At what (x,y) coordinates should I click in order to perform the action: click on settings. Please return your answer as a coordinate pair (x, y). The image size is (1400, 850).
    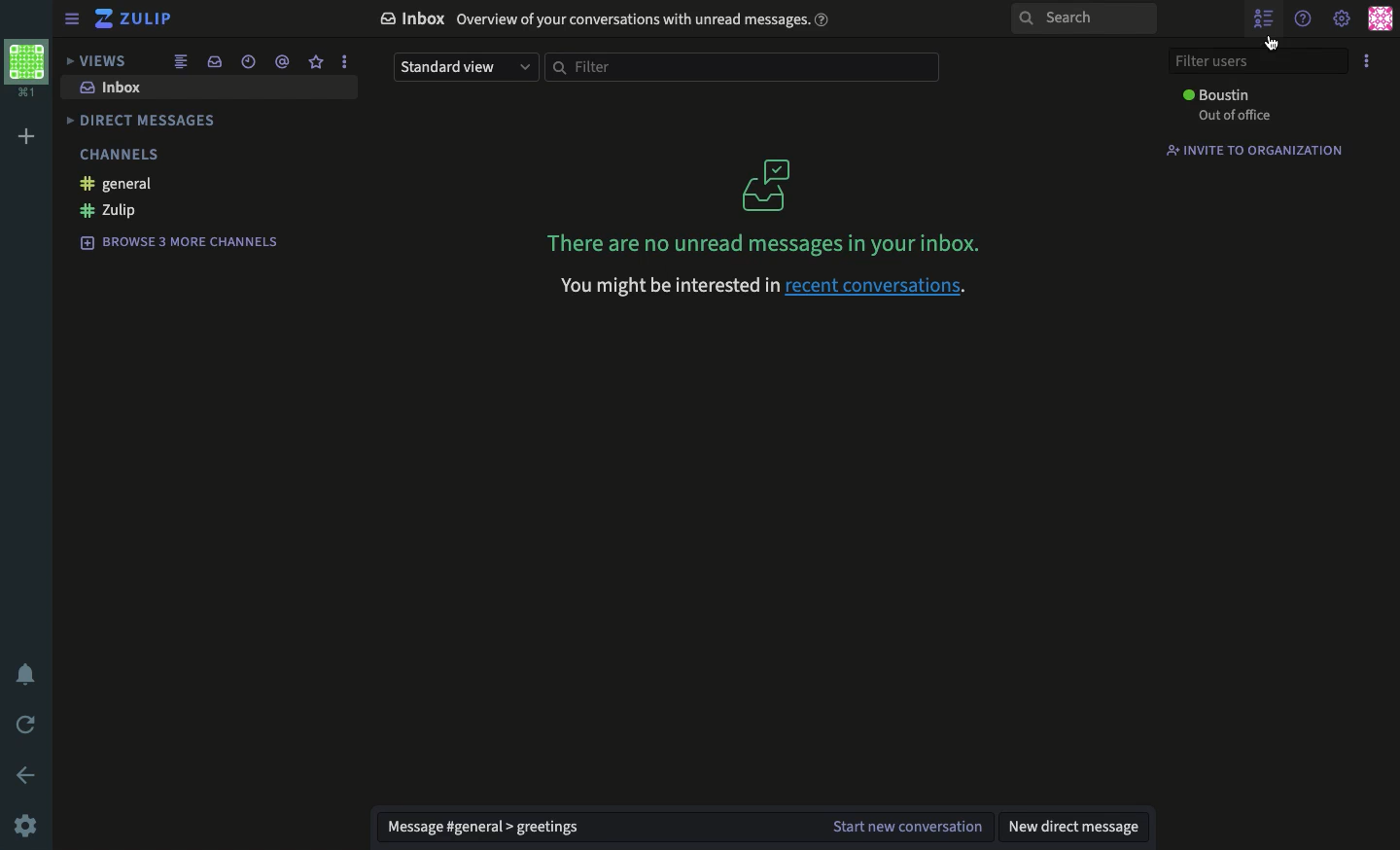
    Looking at the image, I should click on (25, 827).